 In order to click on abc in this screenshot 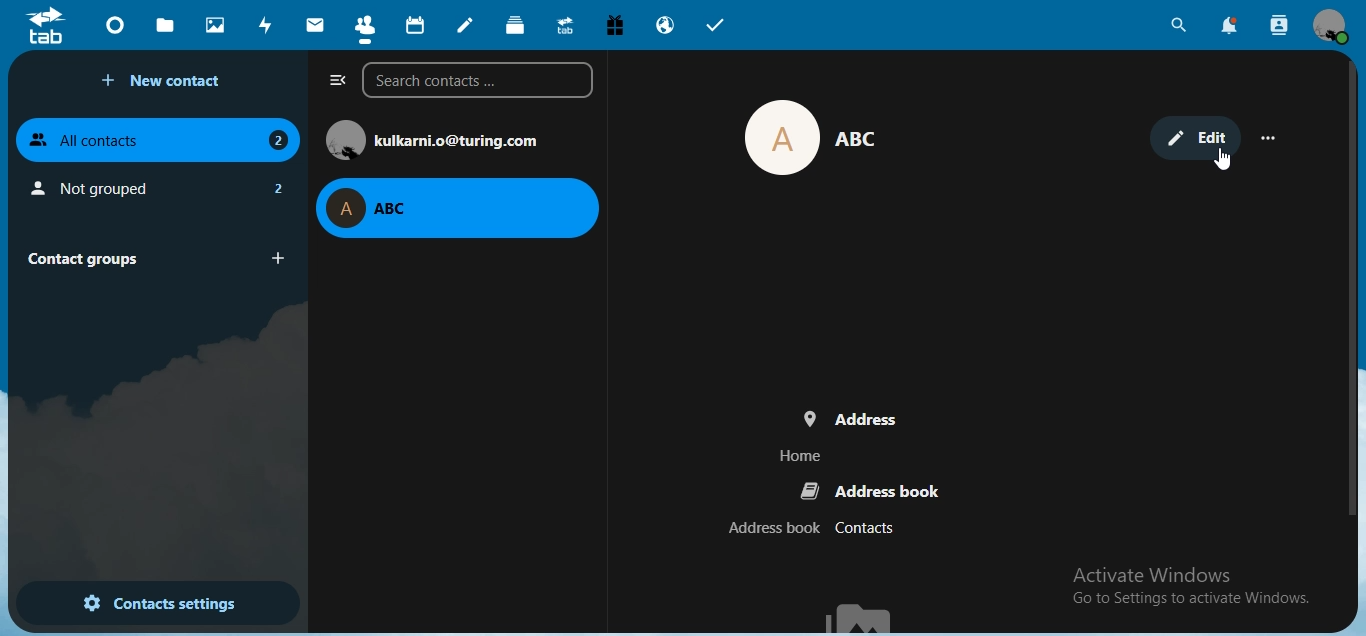, I will do `click(458, 207)`.